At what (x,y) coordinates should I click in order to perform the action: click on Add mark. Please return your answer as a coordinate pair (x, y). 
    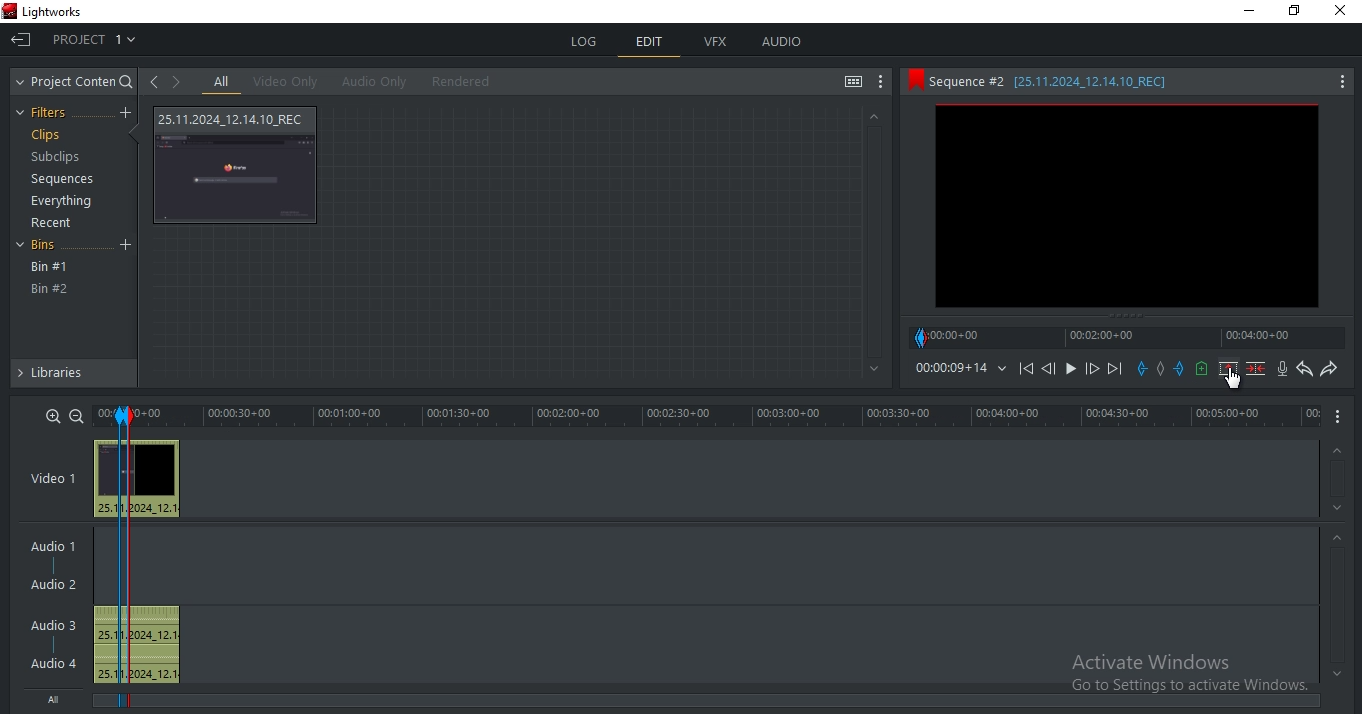
    Looking at the image, I should click on (1160, 369).